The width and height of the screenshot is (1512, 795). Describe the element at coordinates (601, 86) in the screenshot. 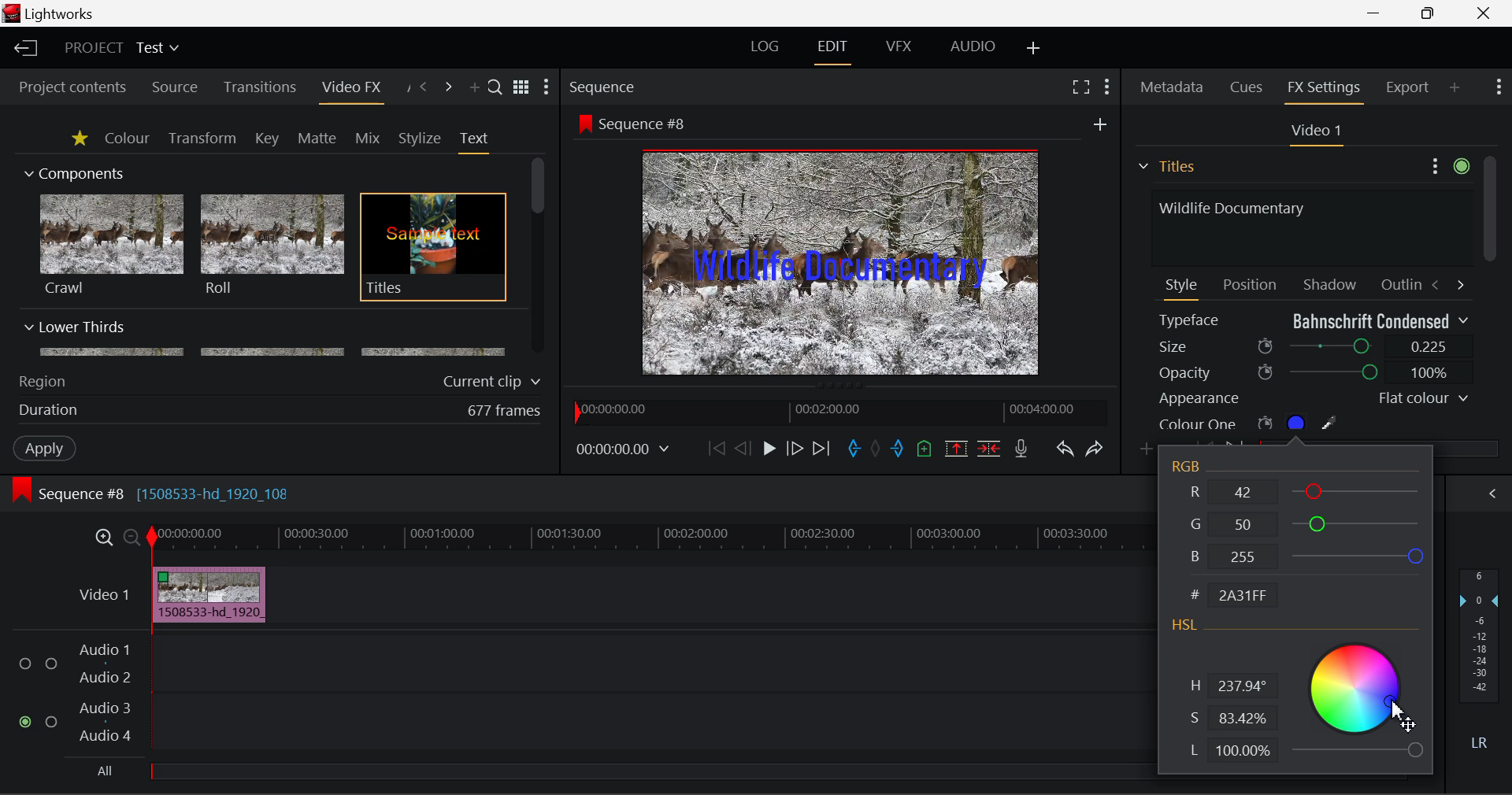

I see `Sequence` at that location.